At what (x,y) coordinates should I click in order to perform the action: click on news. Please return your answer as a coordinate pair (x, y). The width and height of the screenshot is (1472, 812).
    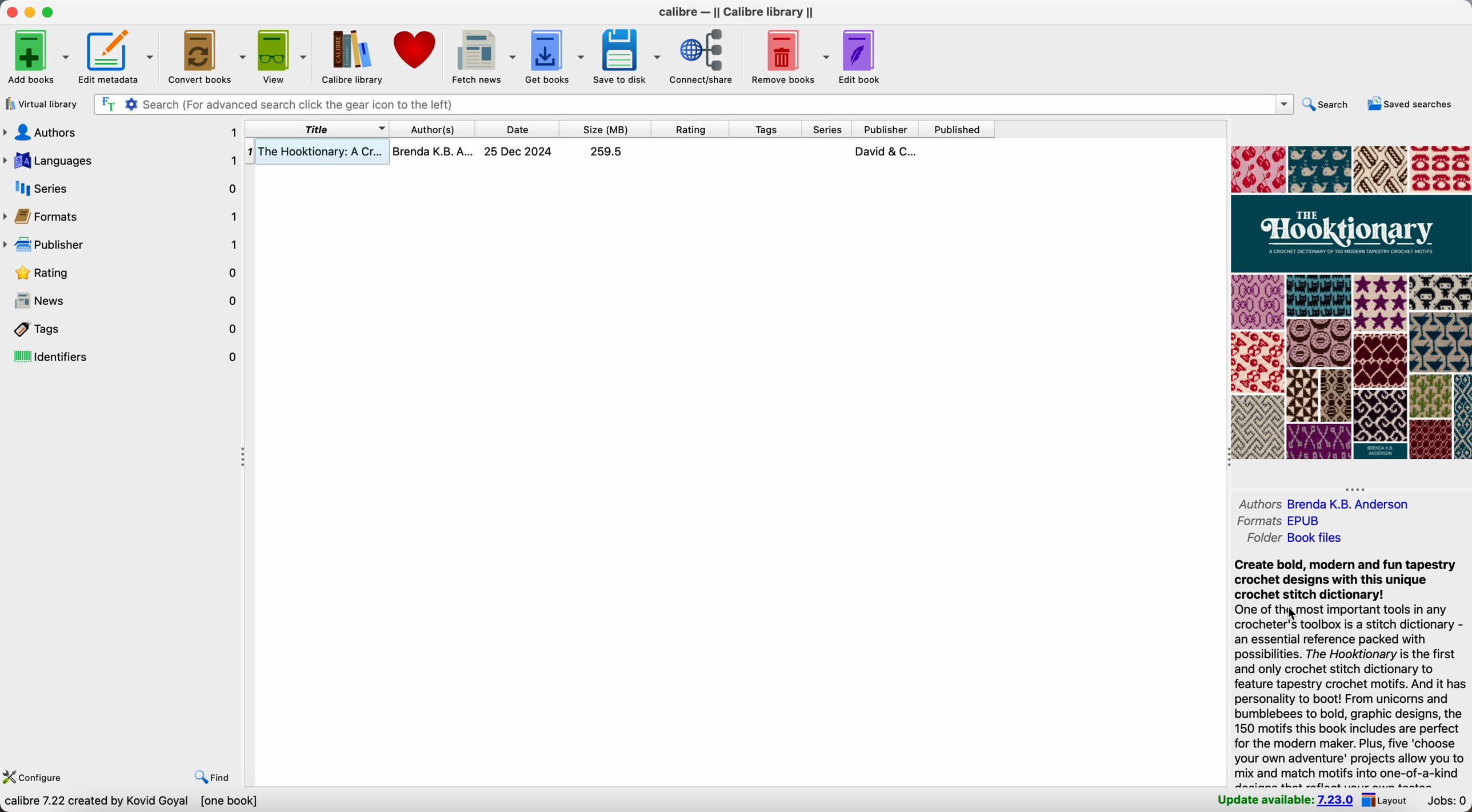
    Looking at the image, I should click on (123, 302).